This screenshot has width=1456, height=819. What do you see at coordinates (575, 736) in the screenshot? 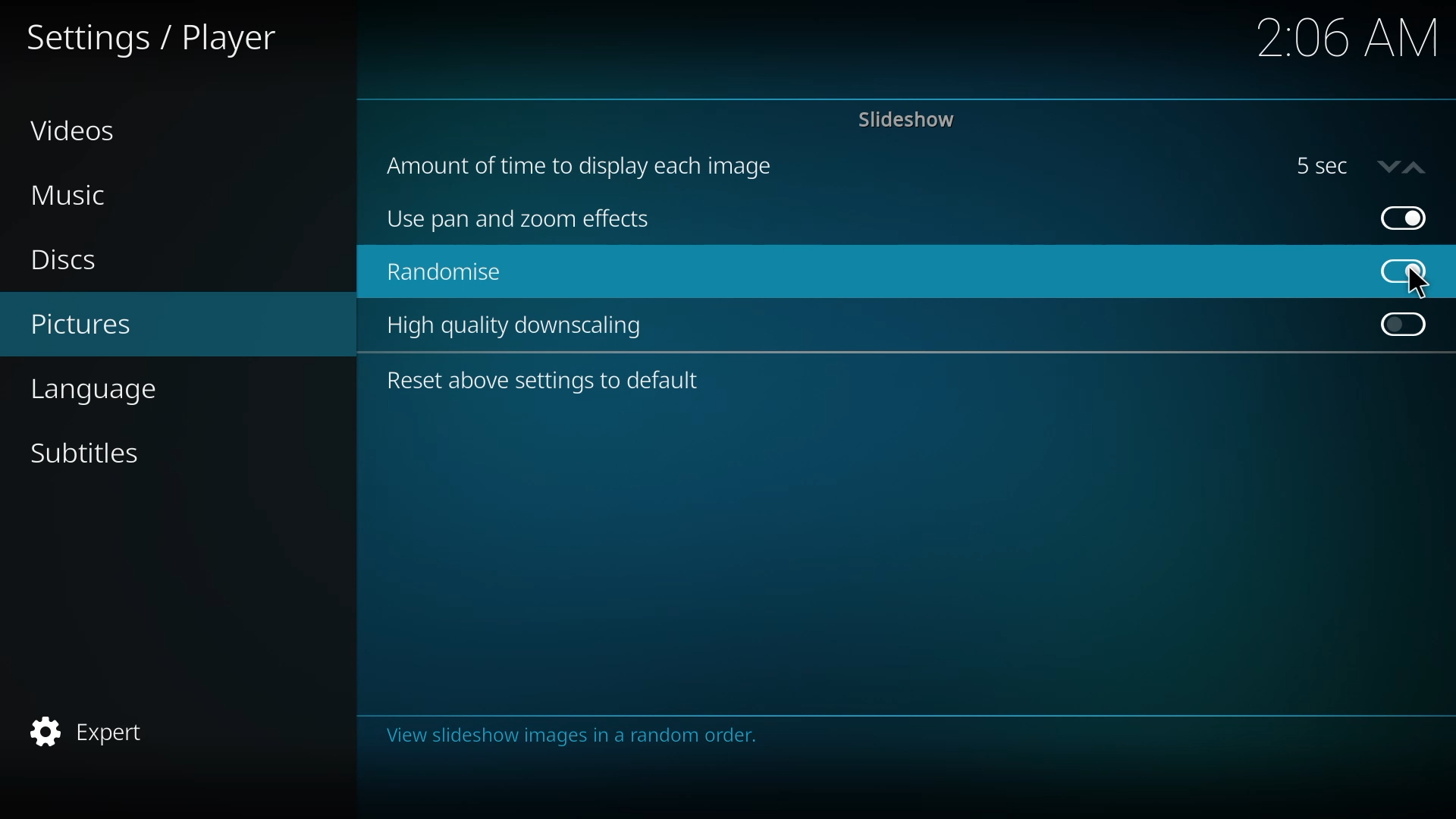
I see `info` at bounding box center [575, 736].